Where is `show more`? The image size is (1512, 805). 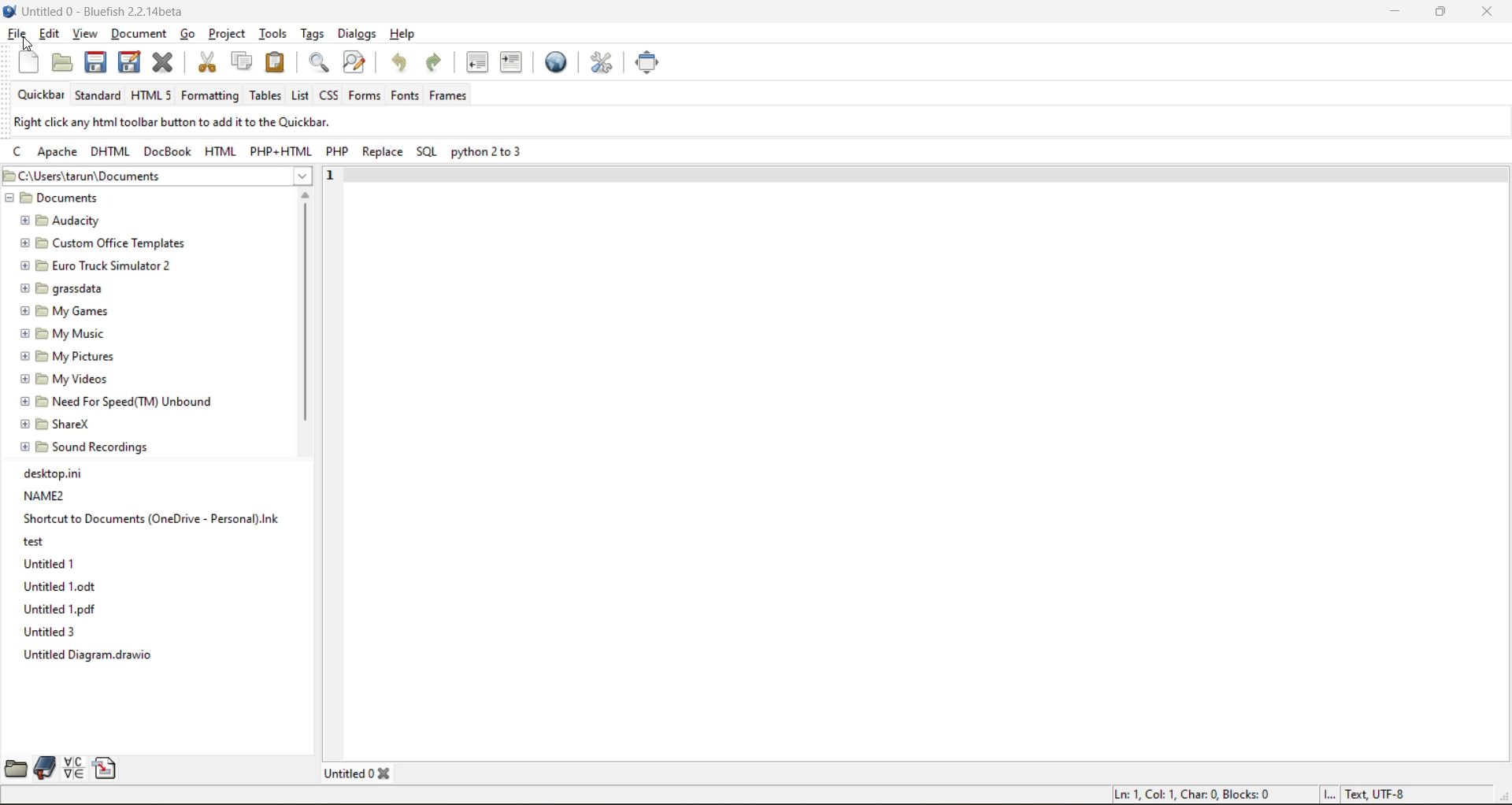 show more is located at coordinates (306, 175).